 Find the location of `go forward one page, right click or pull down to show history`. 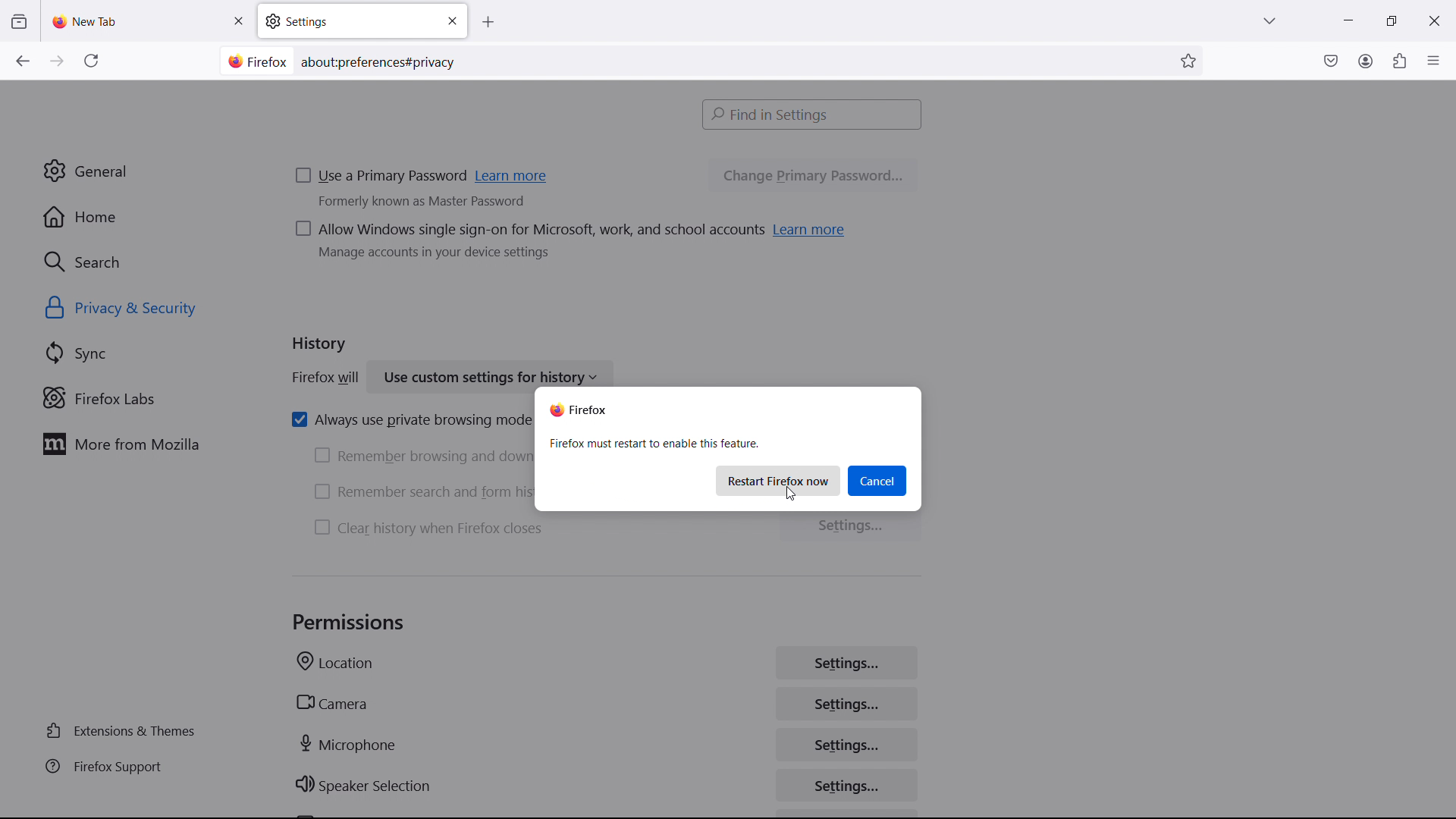

go forward one page, right click or pull down to show history is located at coordinates (57, 61).